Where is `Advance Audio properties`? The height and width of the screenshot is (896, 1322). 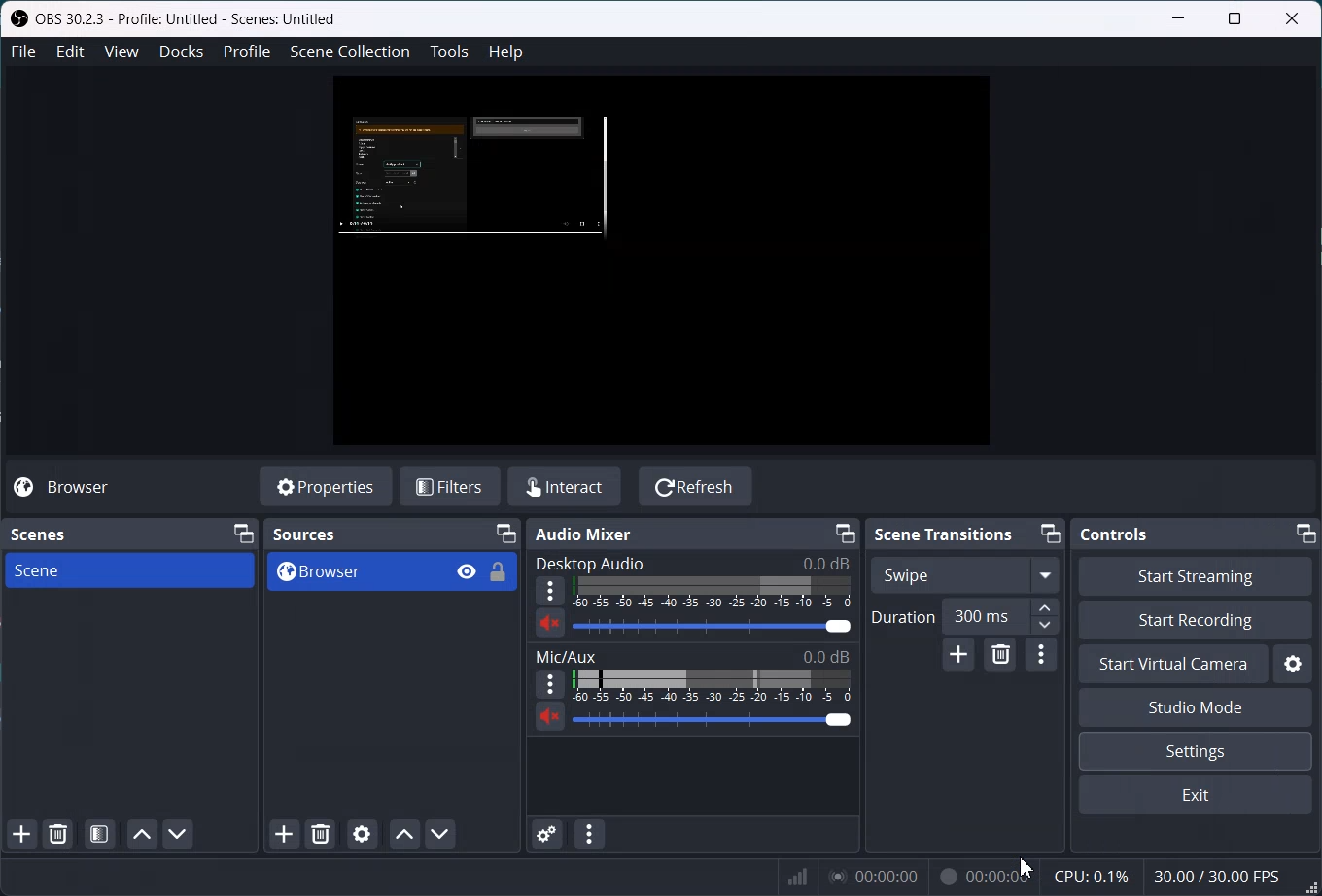
Advance Audio properties is located at coordinates (547, 835).